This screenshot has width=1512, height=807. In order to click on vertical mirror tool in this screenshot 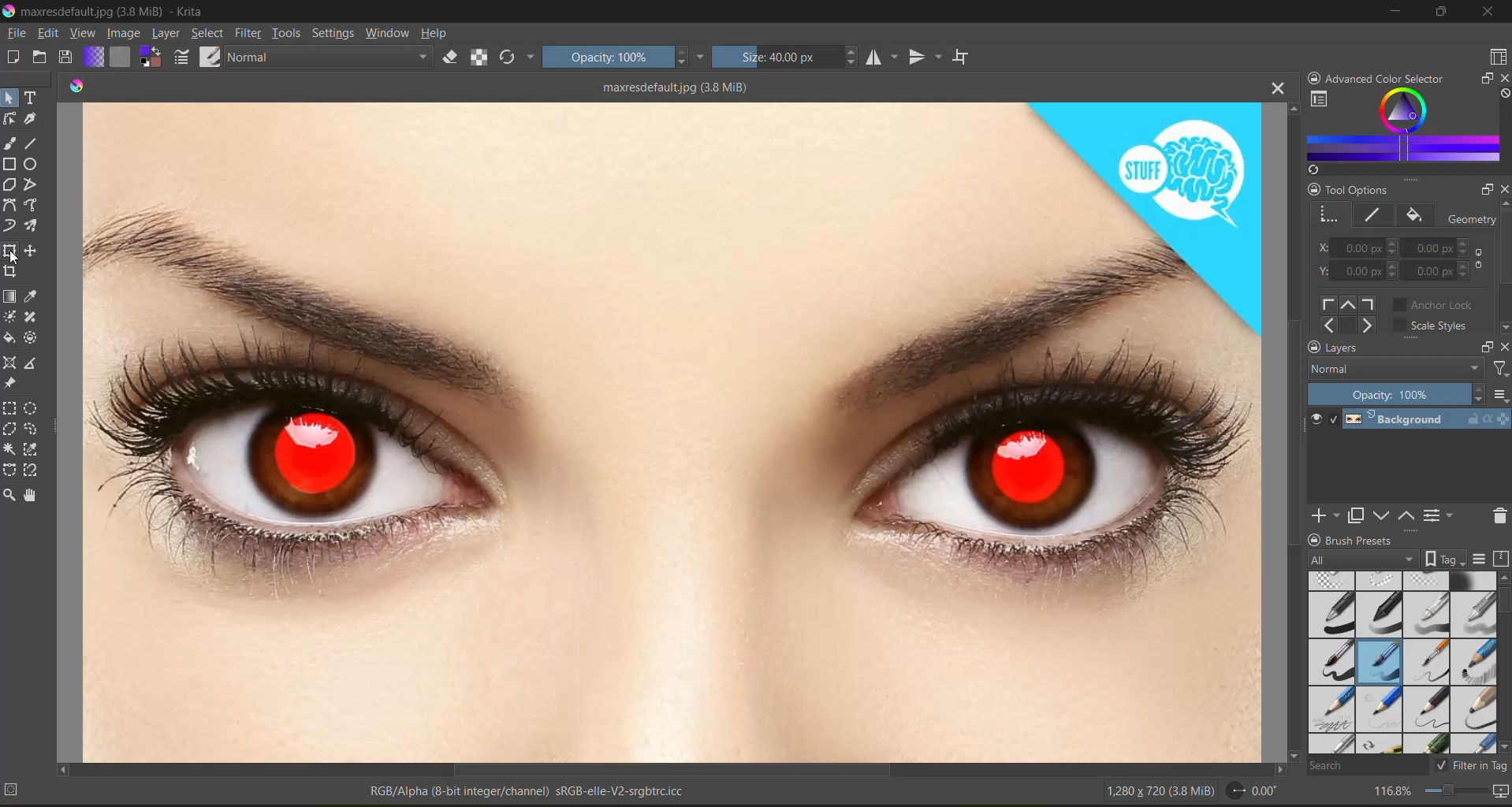, I will do `click(928, 58)`.